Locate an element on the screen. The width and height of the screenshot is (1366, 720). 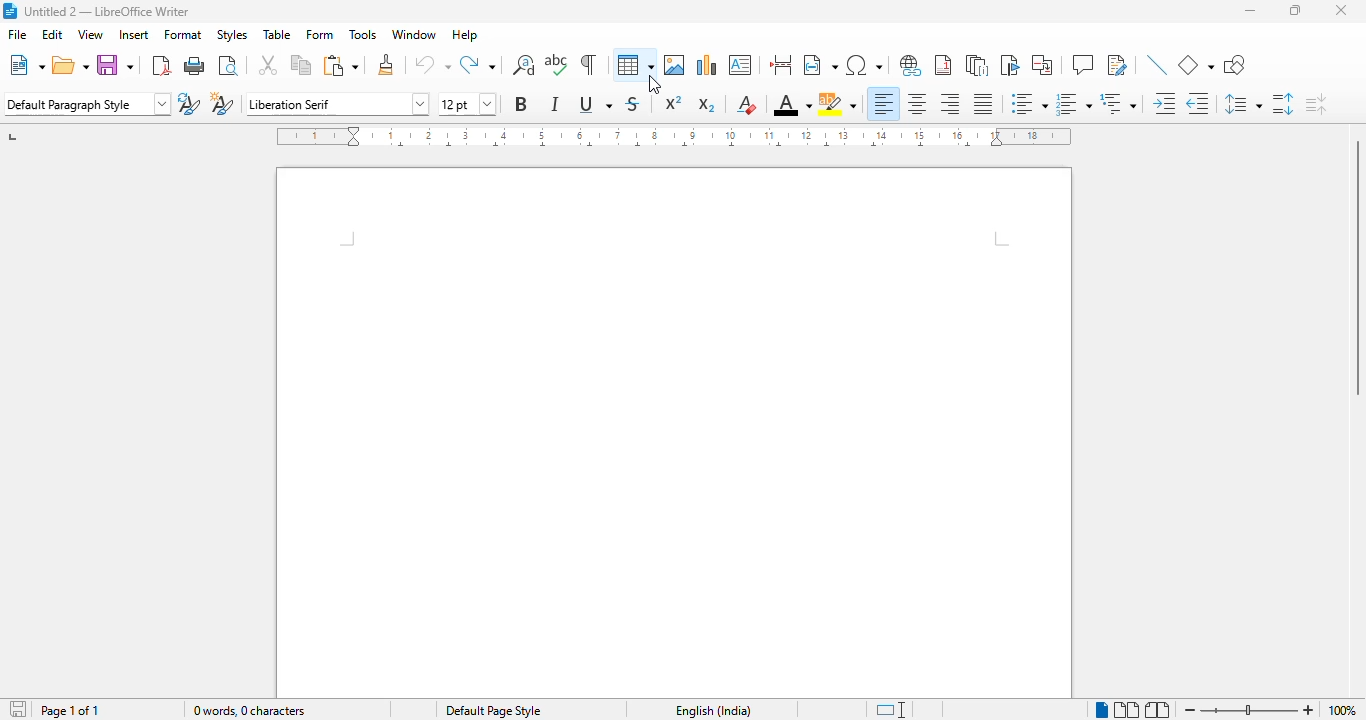
update selected style is located at coordinates (189, 103).